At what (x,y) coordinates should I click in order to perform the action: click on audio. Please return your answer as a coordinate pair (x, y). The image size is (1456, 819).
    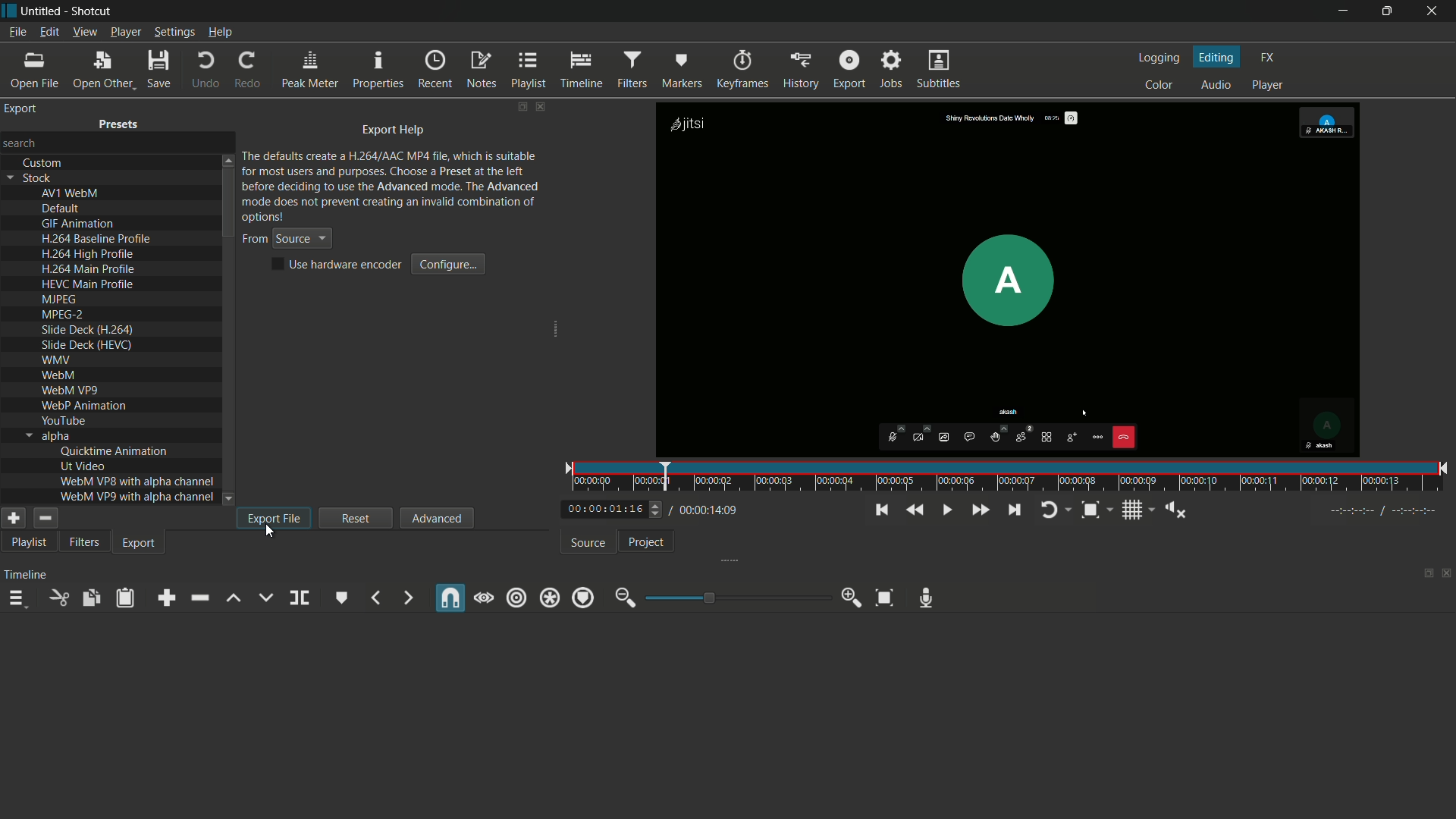
    Looking at the image, I should click on (1216, 86).